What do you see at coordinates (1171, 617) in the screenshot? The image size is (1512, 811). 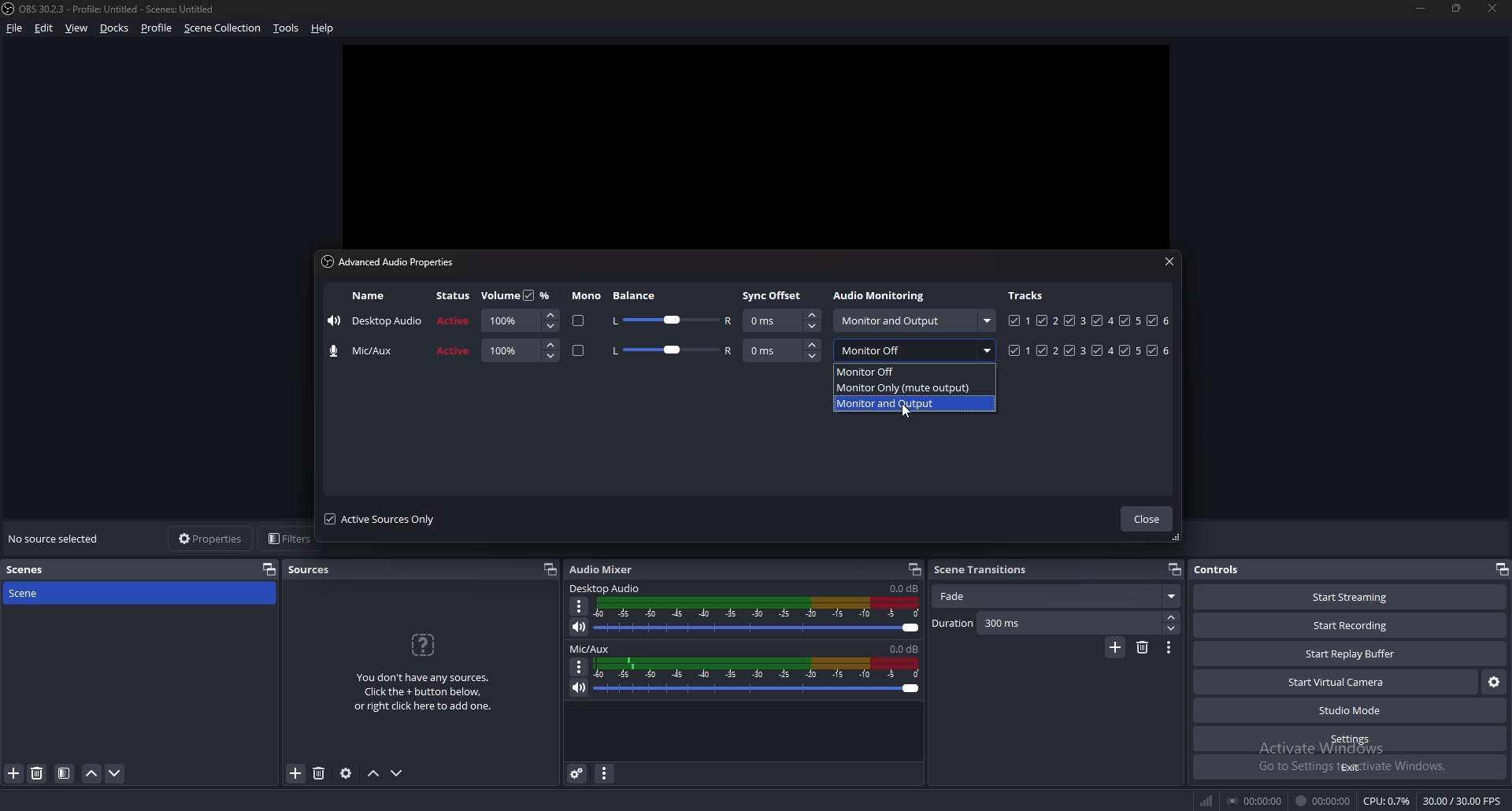 I see `increase duration` at bounding box center [1171, 617].